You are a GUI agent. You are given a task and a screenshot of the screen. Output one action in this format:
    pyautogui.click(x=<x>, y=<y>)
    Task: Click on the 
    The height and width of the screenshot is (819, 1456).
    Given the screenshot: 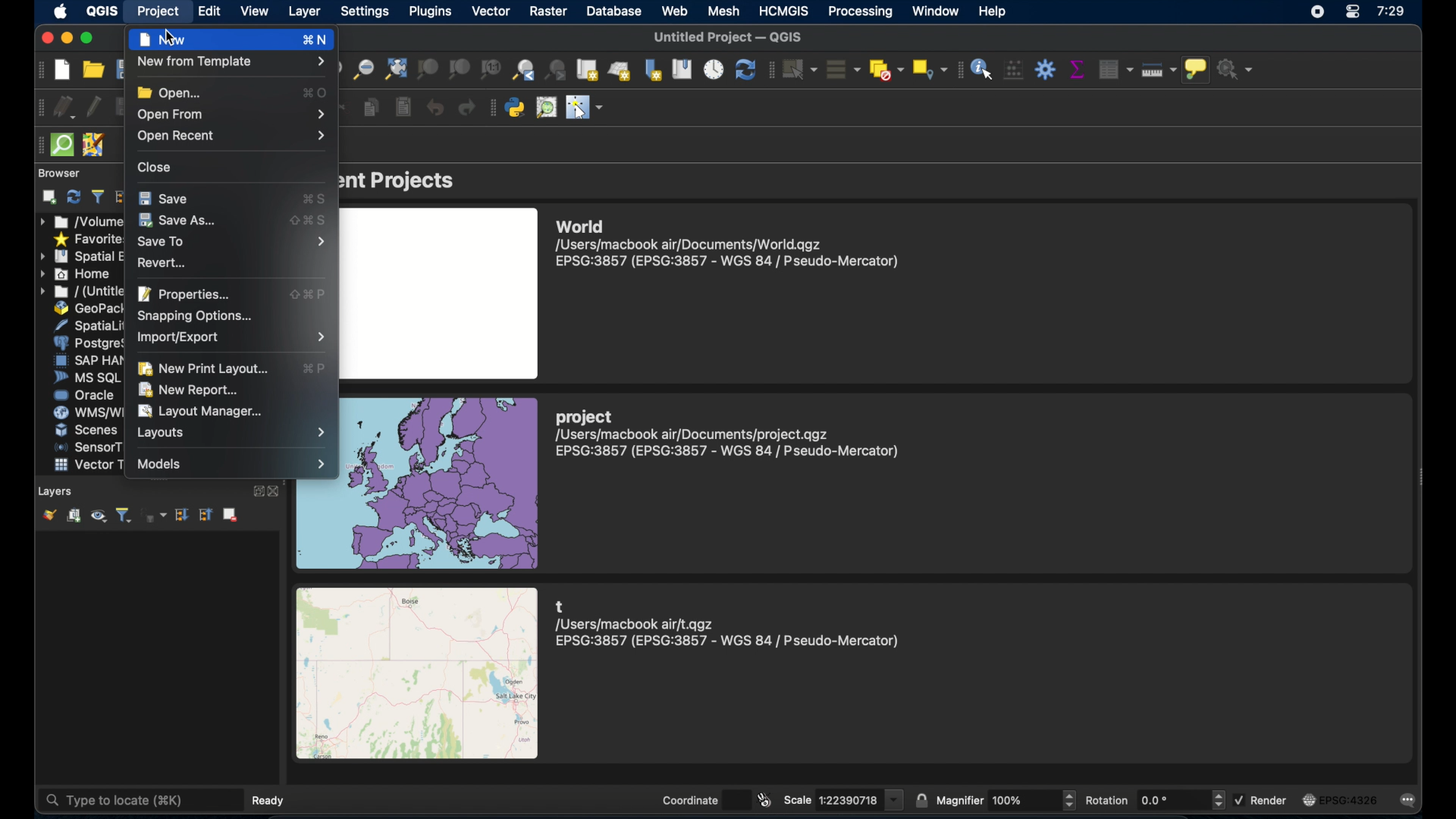 What is the action you would take?
    pyautogui.click(x=1072, y=800)
    